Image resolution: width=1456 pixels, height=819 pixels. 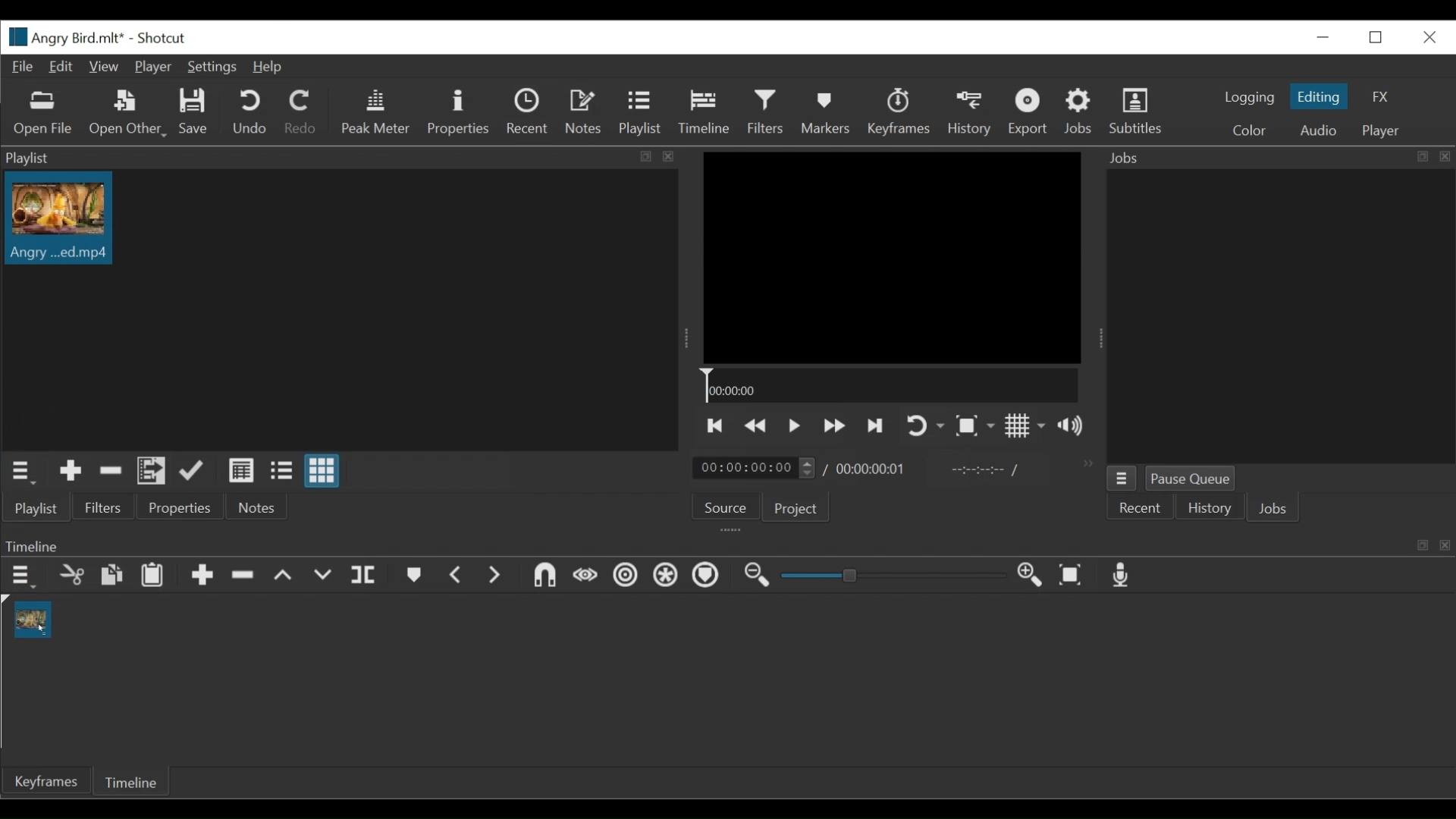 What do you see at coordinates (460, 112) in the screenshot?
I see `Properties` at bounding box center [460, 112].